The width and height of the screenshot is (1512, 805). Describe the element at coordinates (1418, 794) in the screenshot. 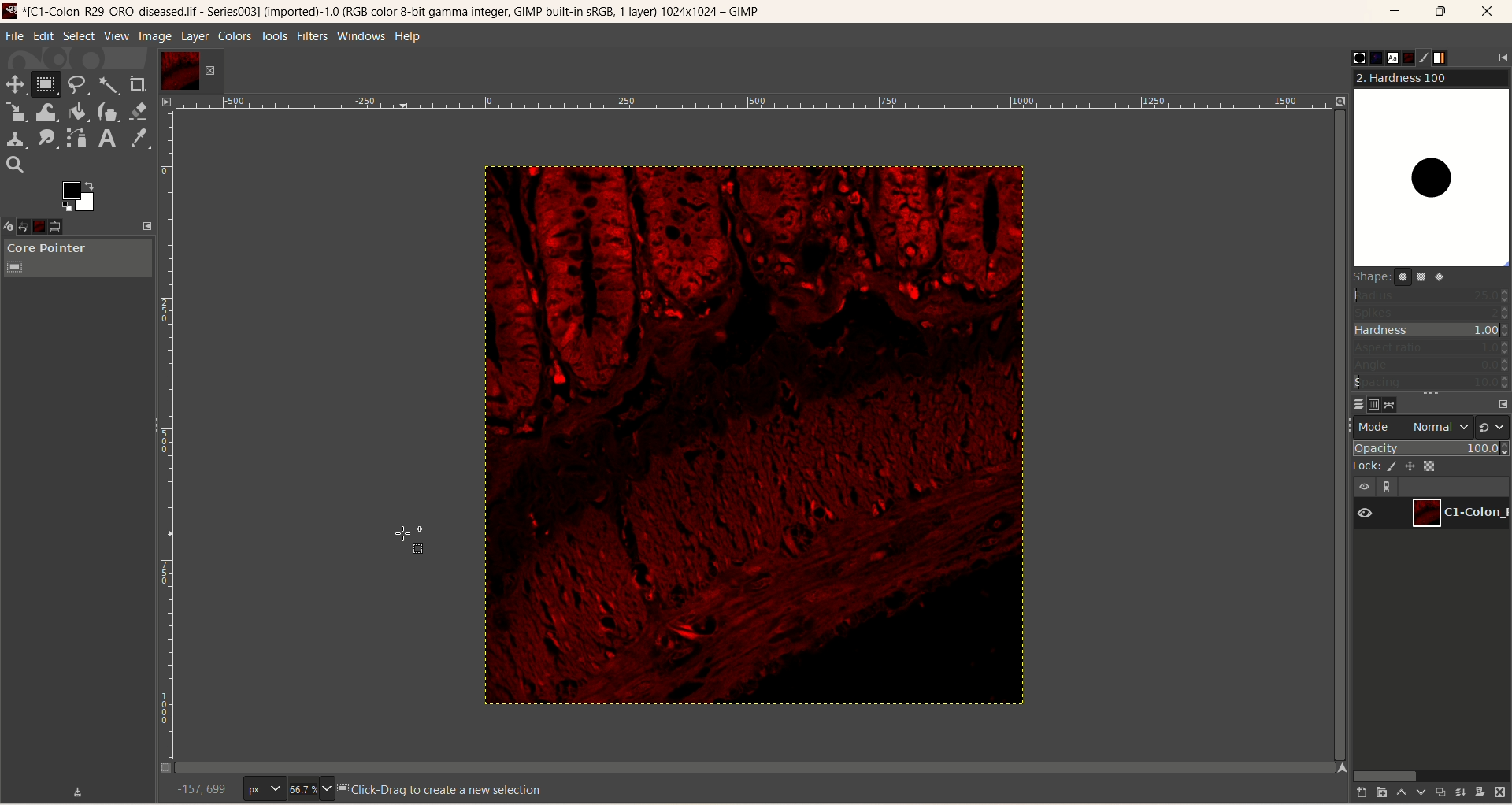

I see `lower this layer one step` at that location.